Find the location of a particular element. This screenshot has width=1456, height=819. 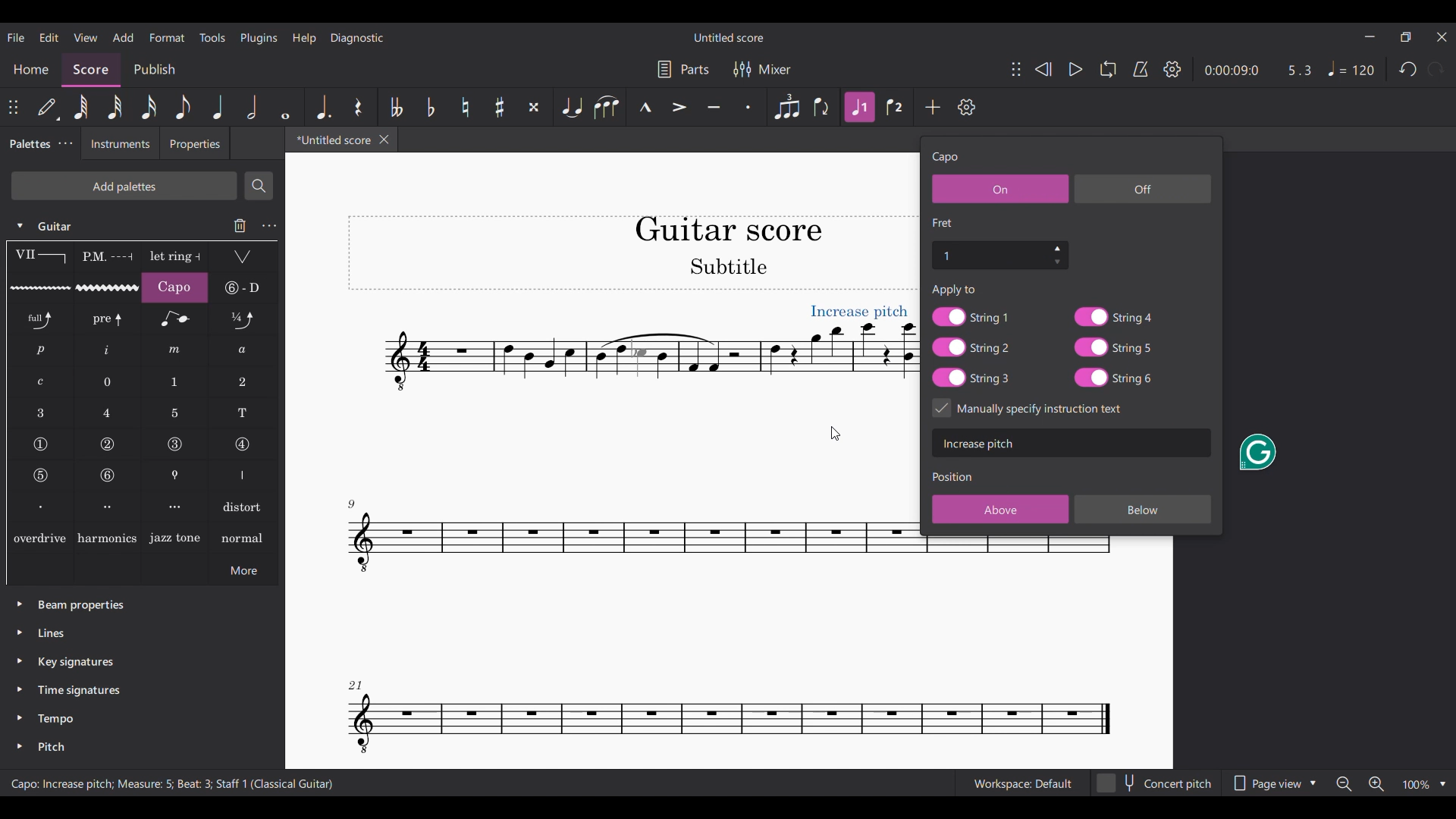

New text visible is located at coordinates (860, 312).